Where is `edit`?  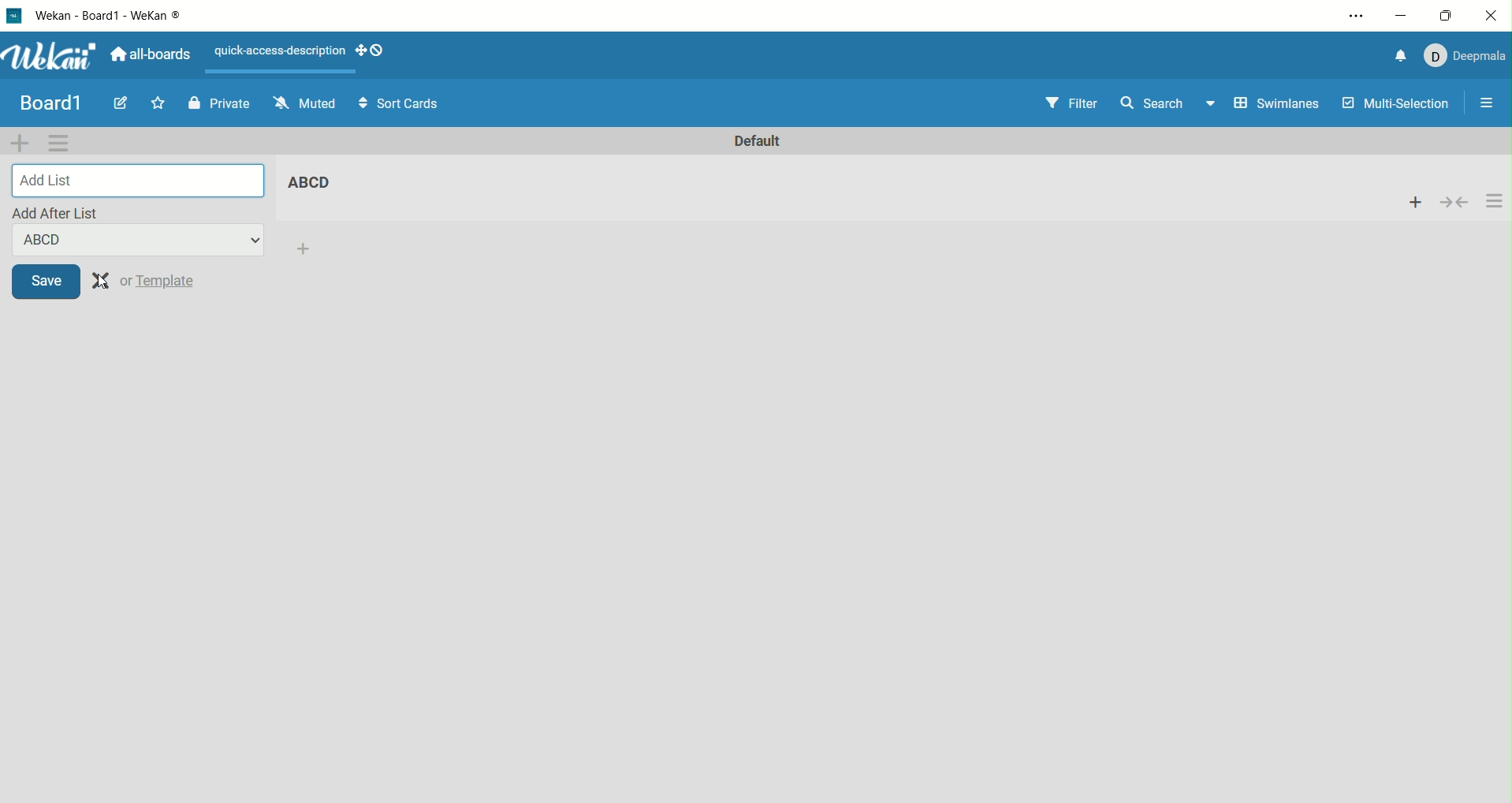
edit is located at coordinates (117, 104).